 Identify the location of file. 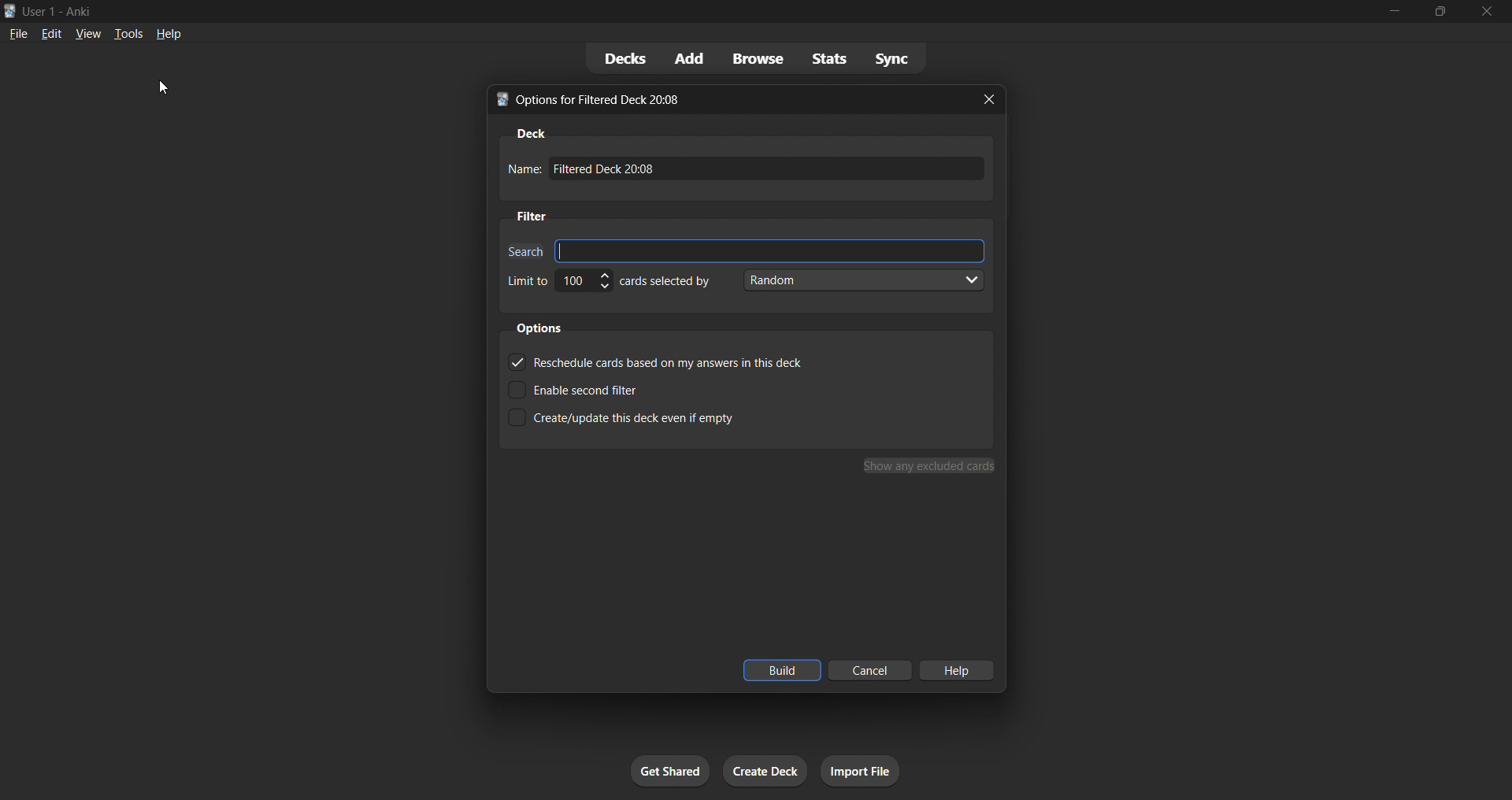
(16, 34).